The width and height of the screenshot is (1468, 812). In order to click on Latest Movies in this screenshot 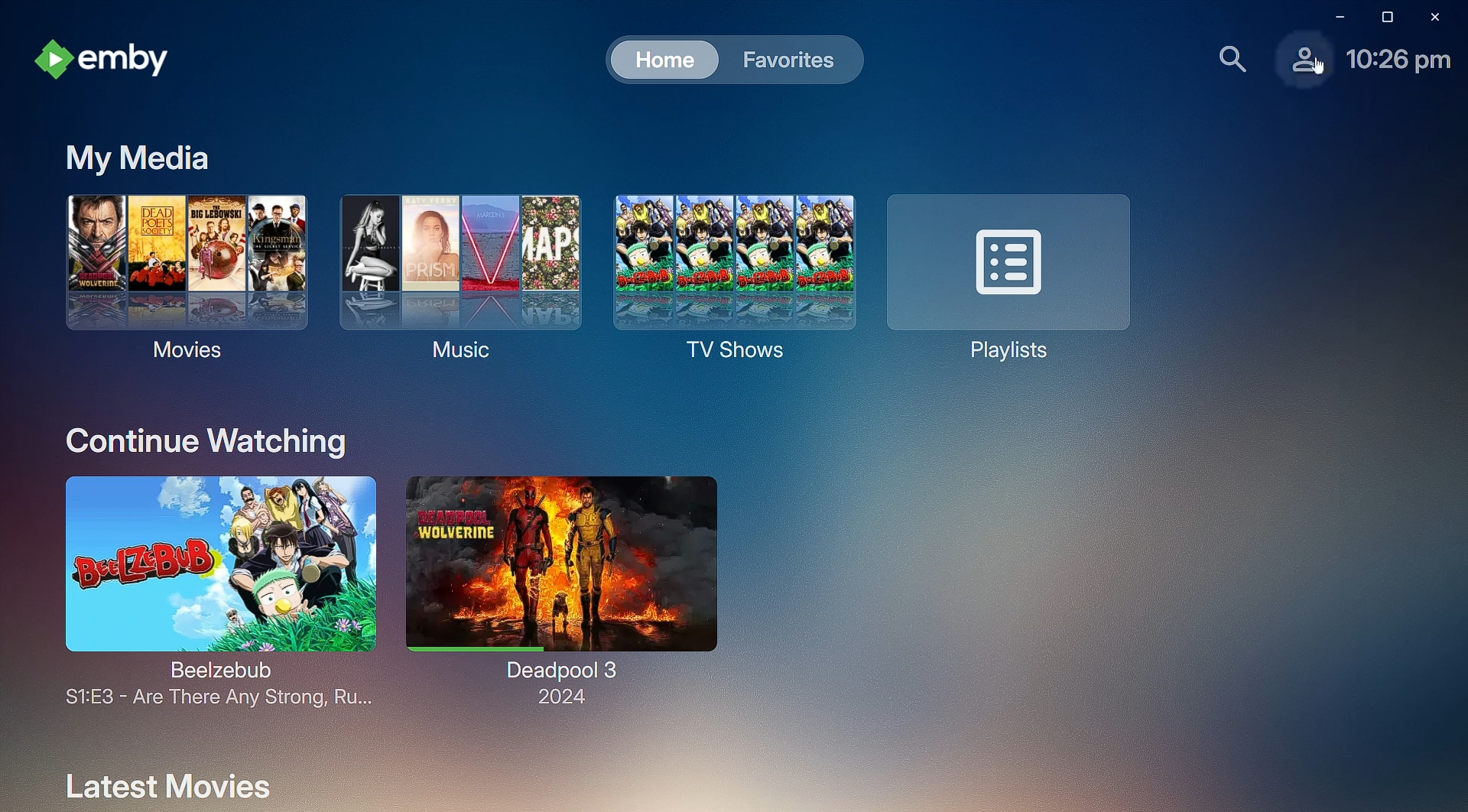, I will do `click(167, 781)`.